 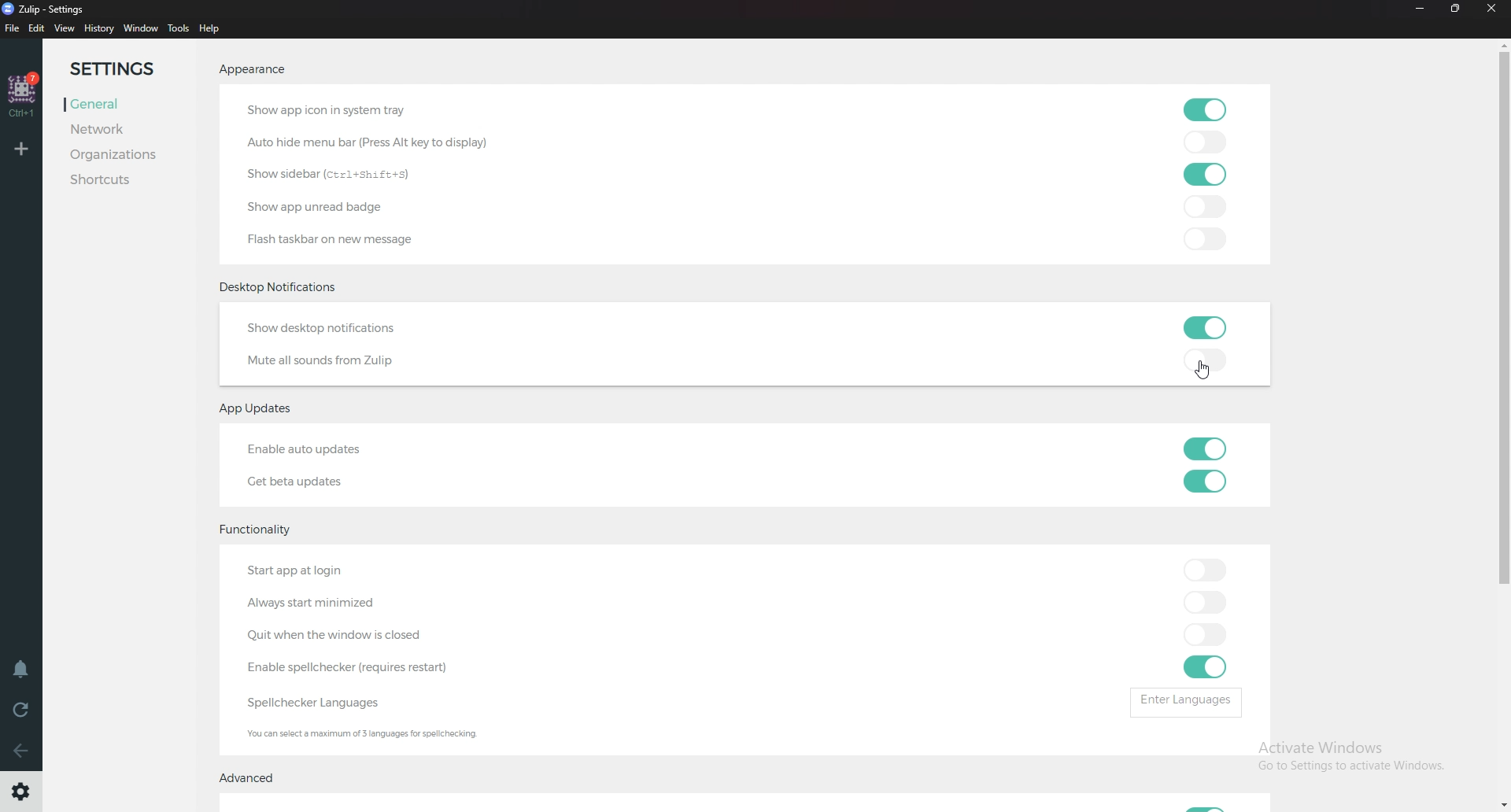 What do you see at coordinates (21, 147) in the screenshot?
I see `Add organization` at bounding box center [21, 147].